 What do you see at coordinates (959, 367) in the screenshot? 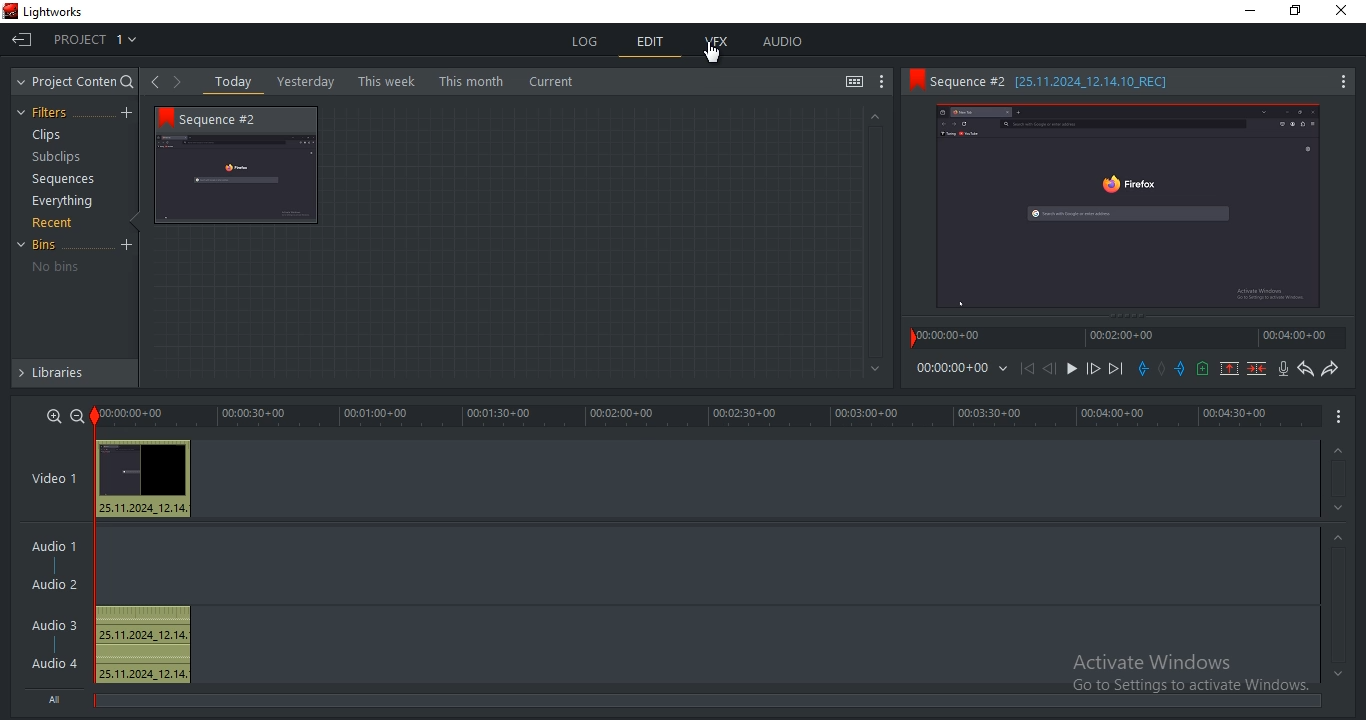
I see `time` at bounding box center [959, 367].